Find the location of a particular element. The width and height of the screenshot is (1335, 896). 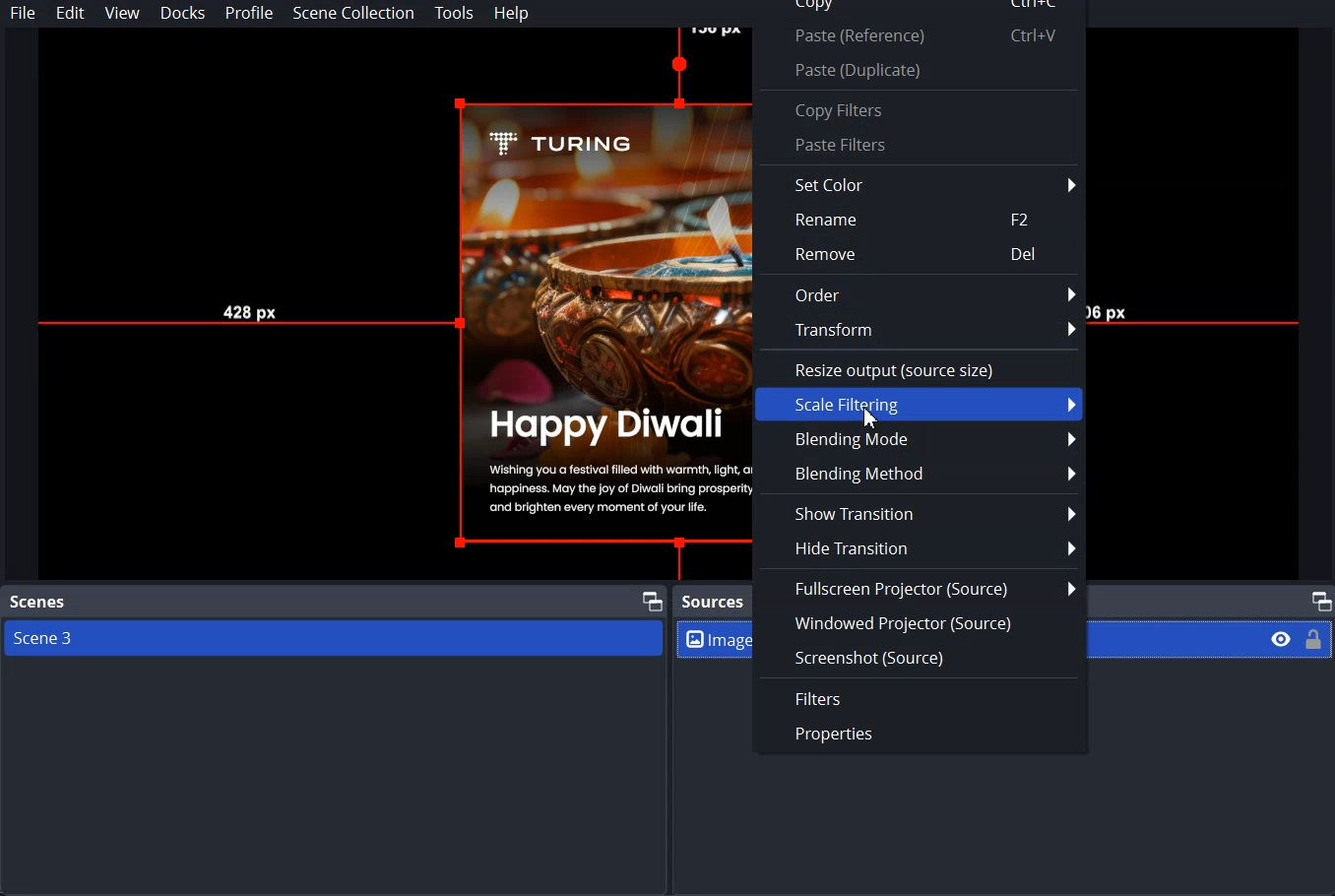

Paste Filters is located at coordinates (919, 146).